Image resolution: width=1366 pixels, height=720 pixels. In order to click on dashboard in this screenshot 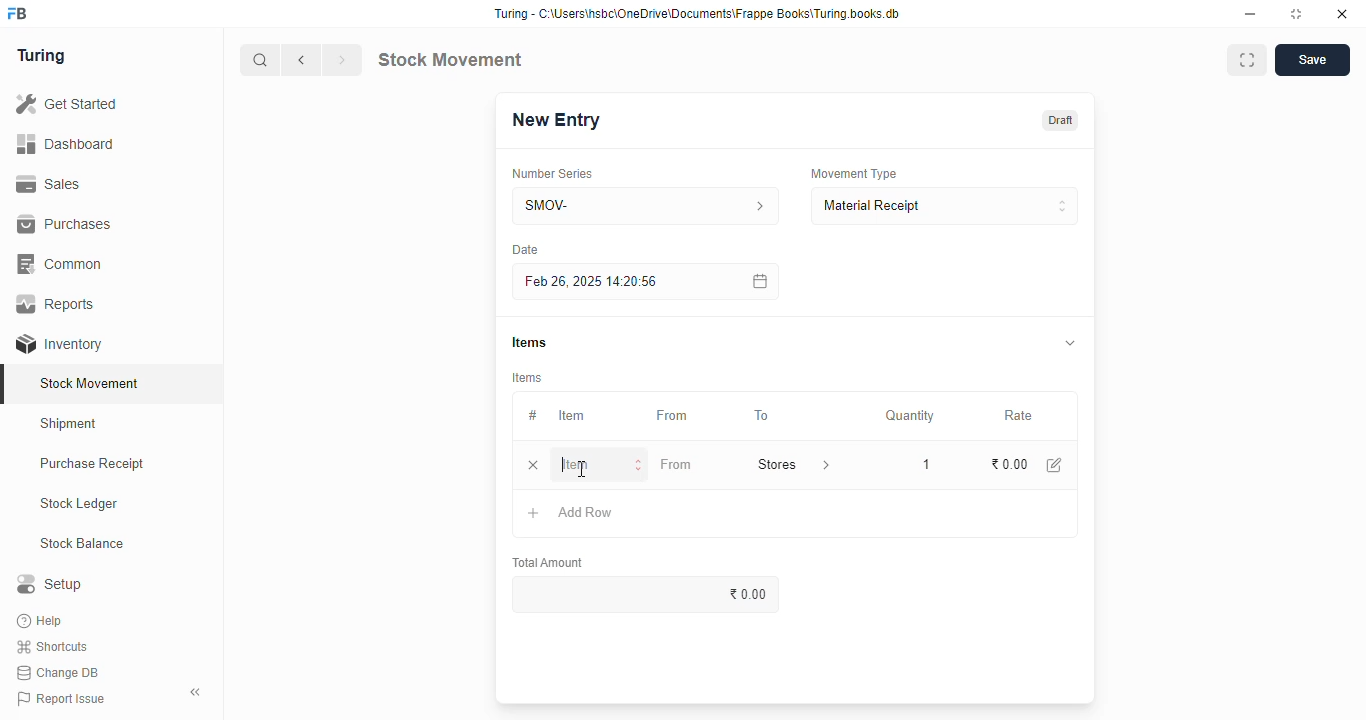, I will do `click(65, 145)`.